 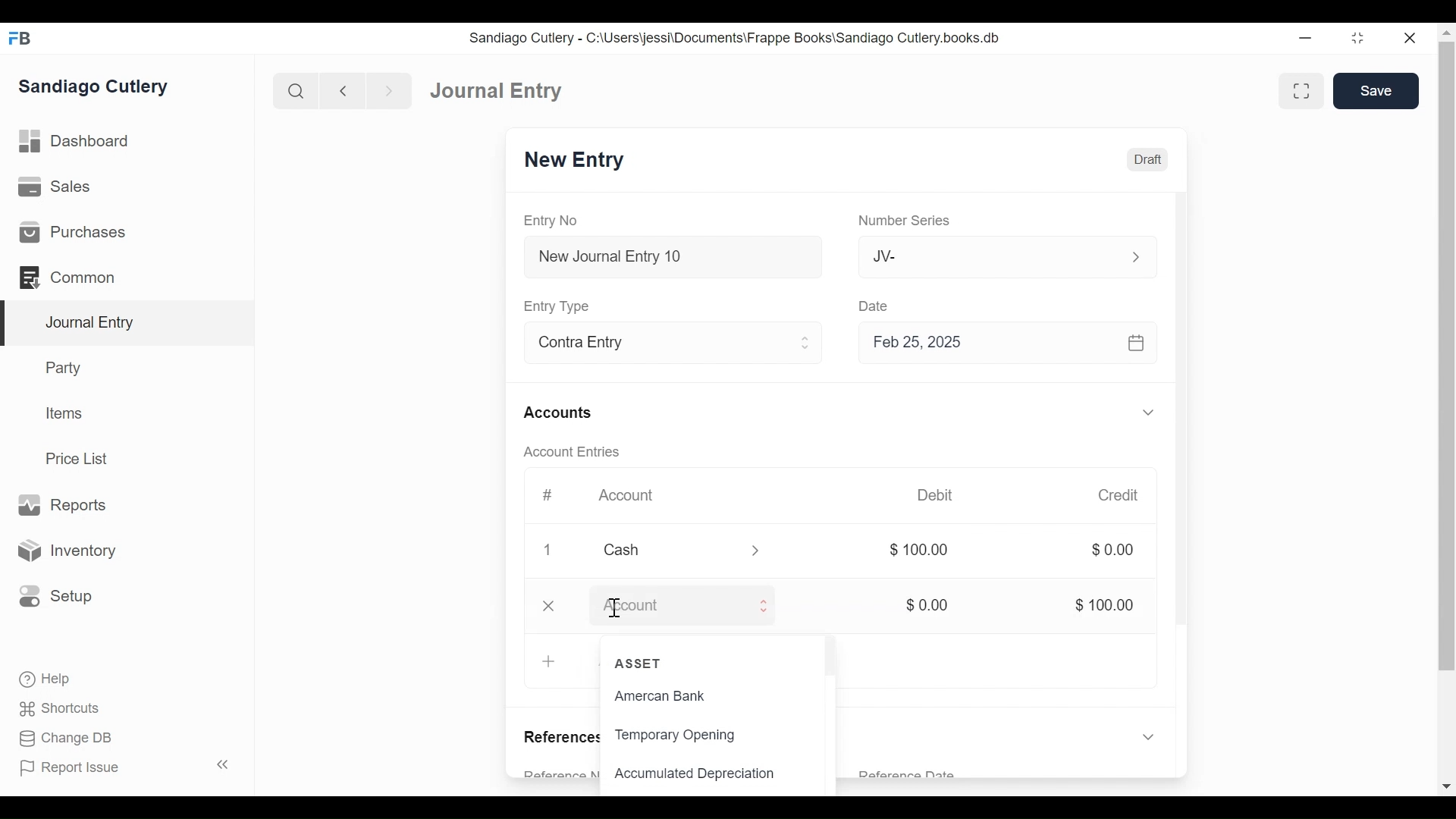 I want to click on Setup, so click(x=56, y=595).